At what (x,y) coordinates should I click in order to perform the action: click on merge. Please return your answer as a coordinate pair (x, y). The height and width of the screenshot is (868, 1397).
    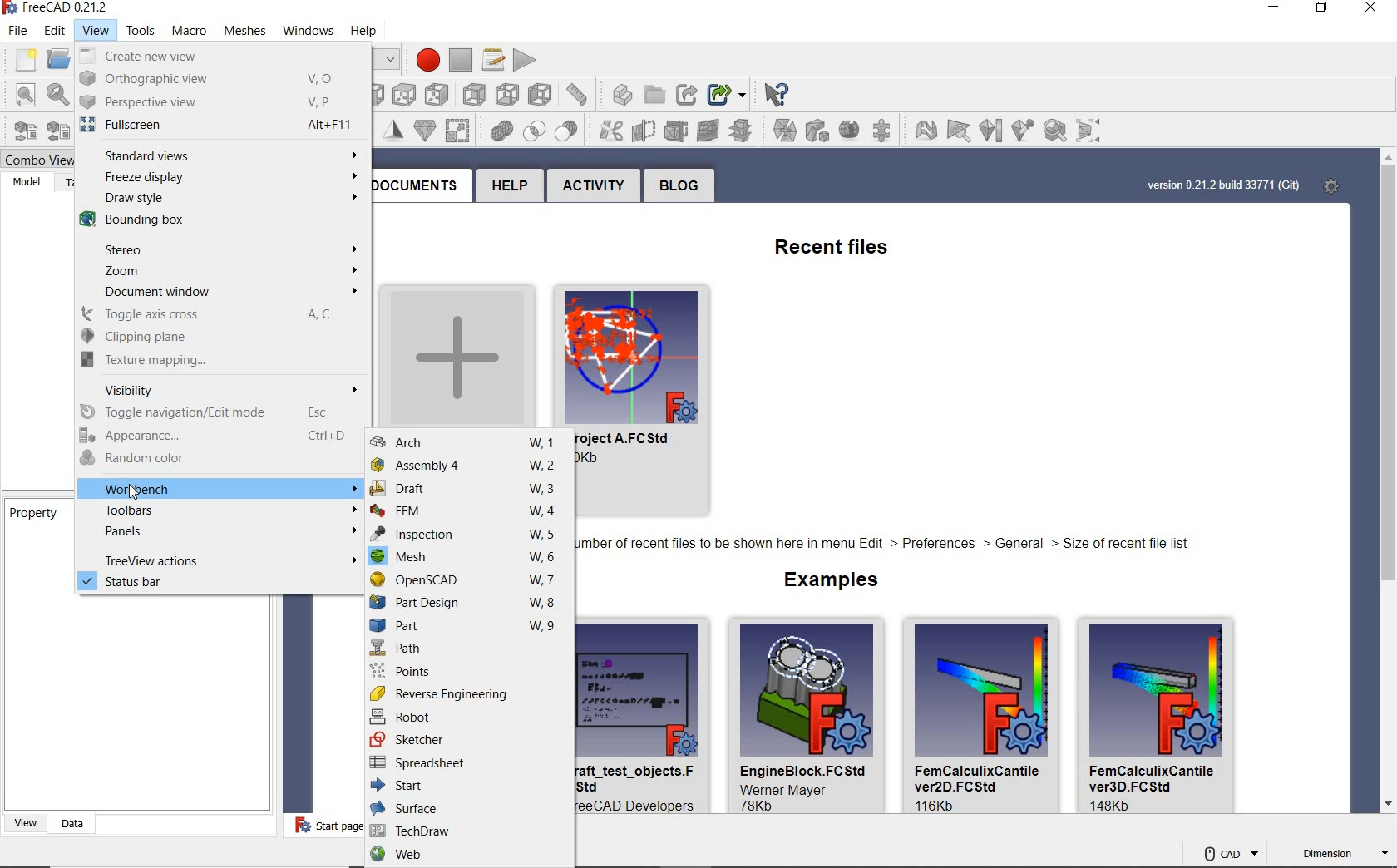
    Looking at the image, I should click on (748, 129).